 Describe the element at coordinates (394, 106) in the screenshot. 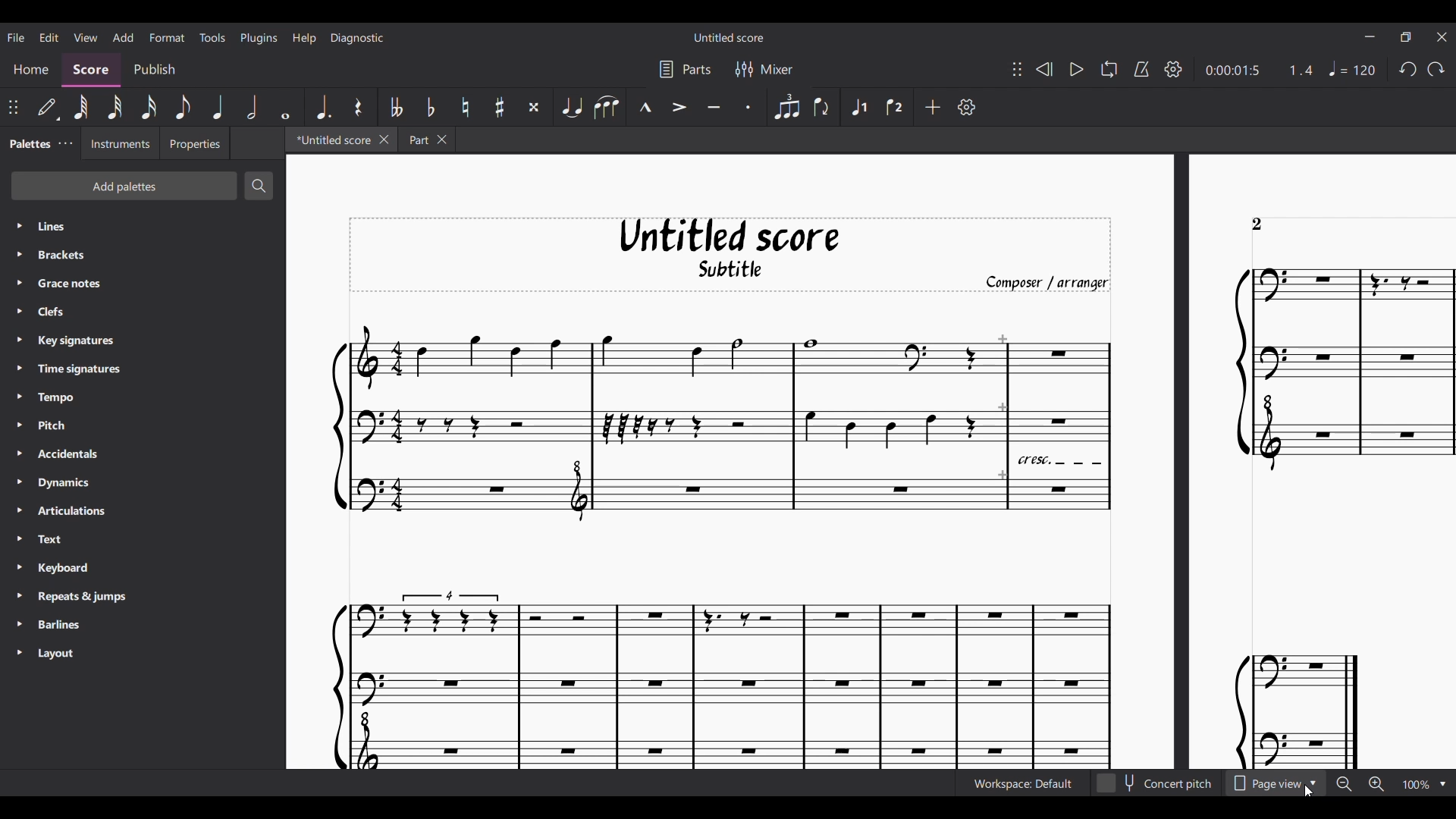

I see `Toggle double flat` at that location.